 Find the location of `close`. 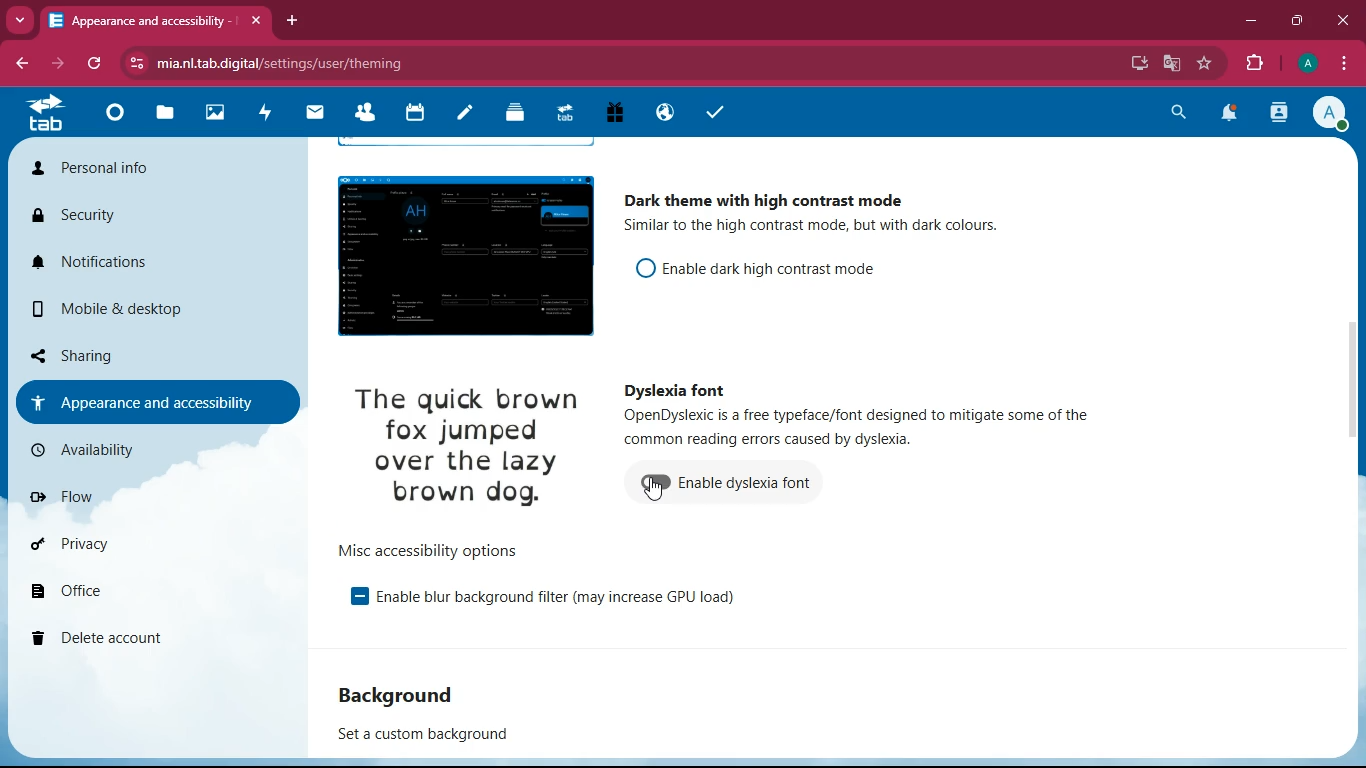

close is located at coordinates (1343, 21).